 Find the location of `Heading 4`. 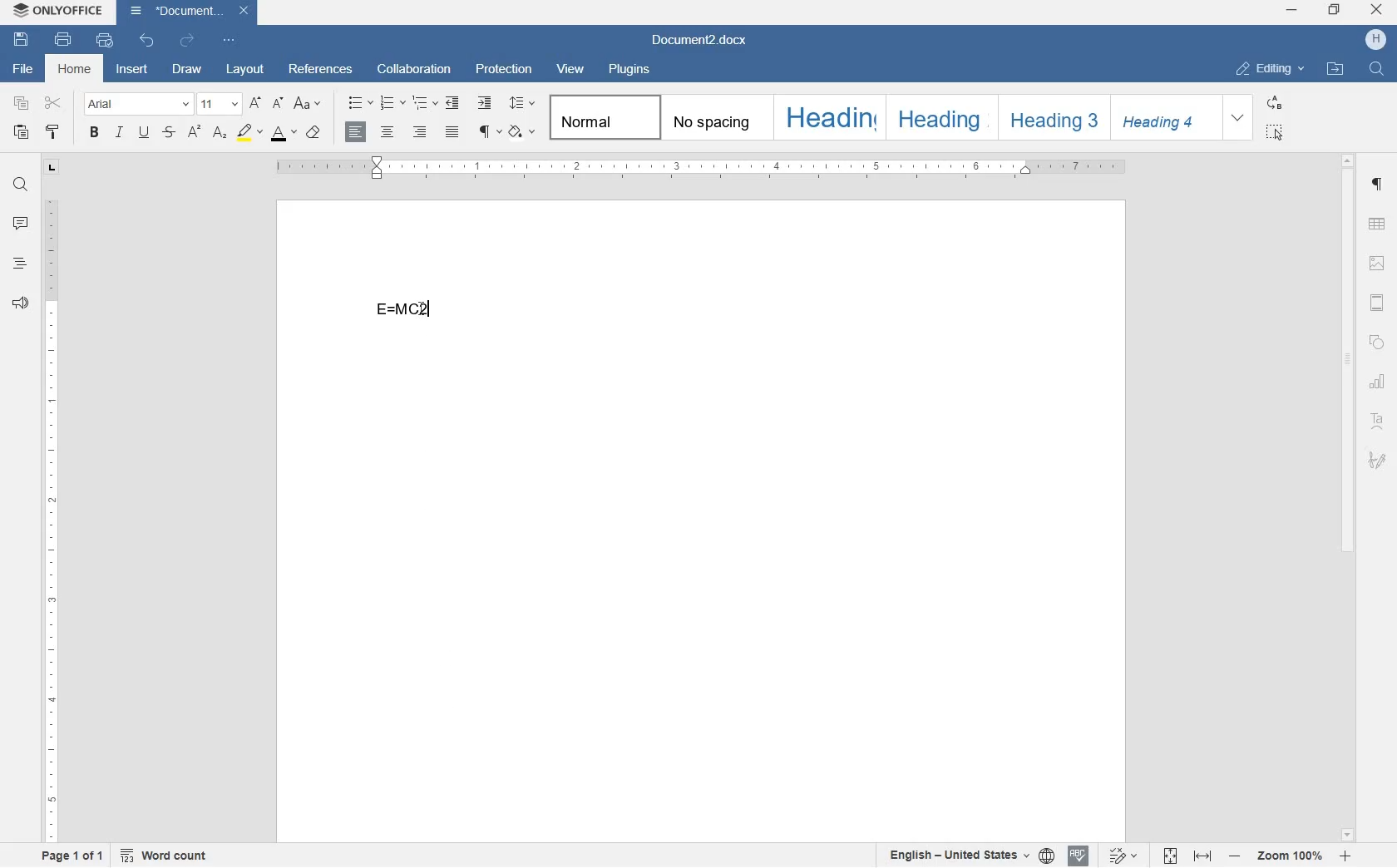

Heading 4 is located at coordinates (1158, 118).